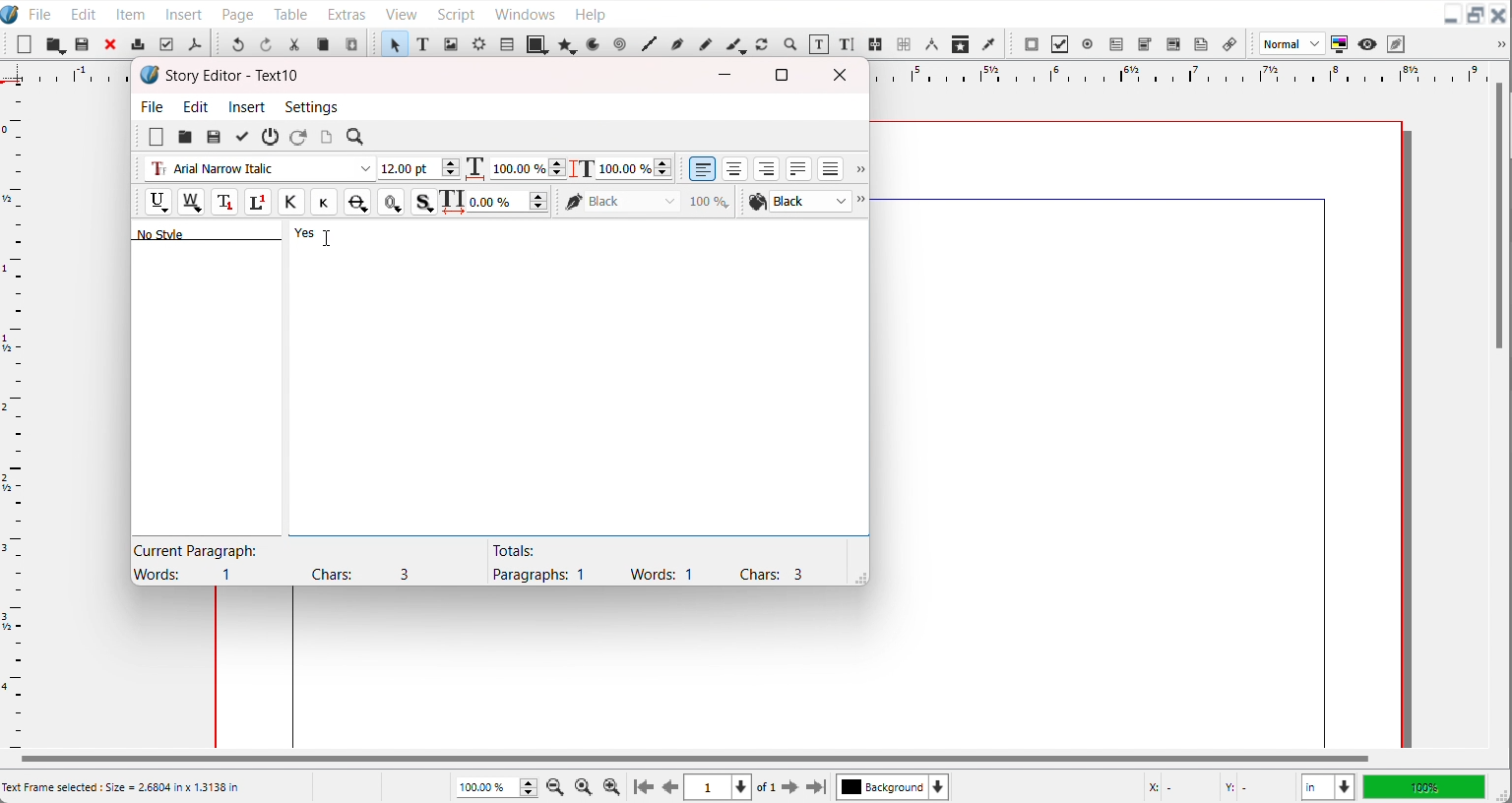  I want to click on Image preview quality, so click(1292, 43).